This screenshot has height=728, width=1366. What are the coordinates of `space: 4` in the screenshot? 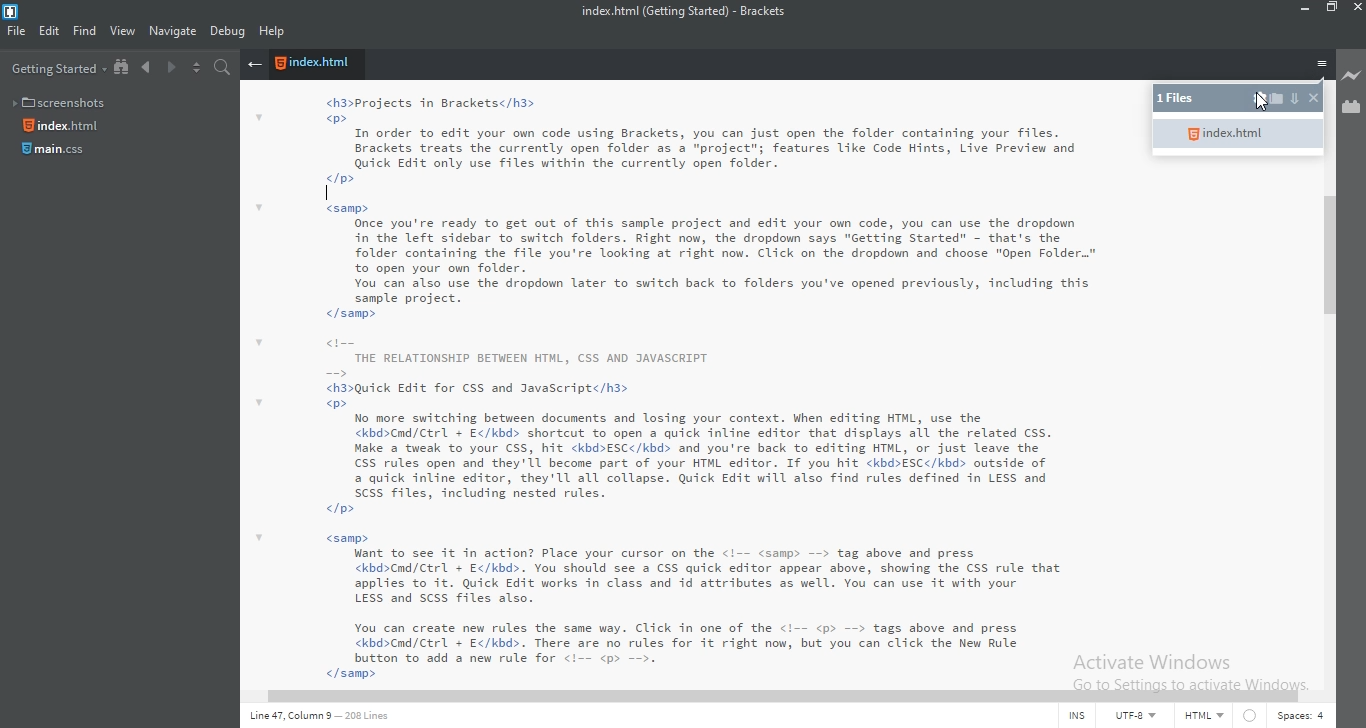 It's located at (1298, 718).